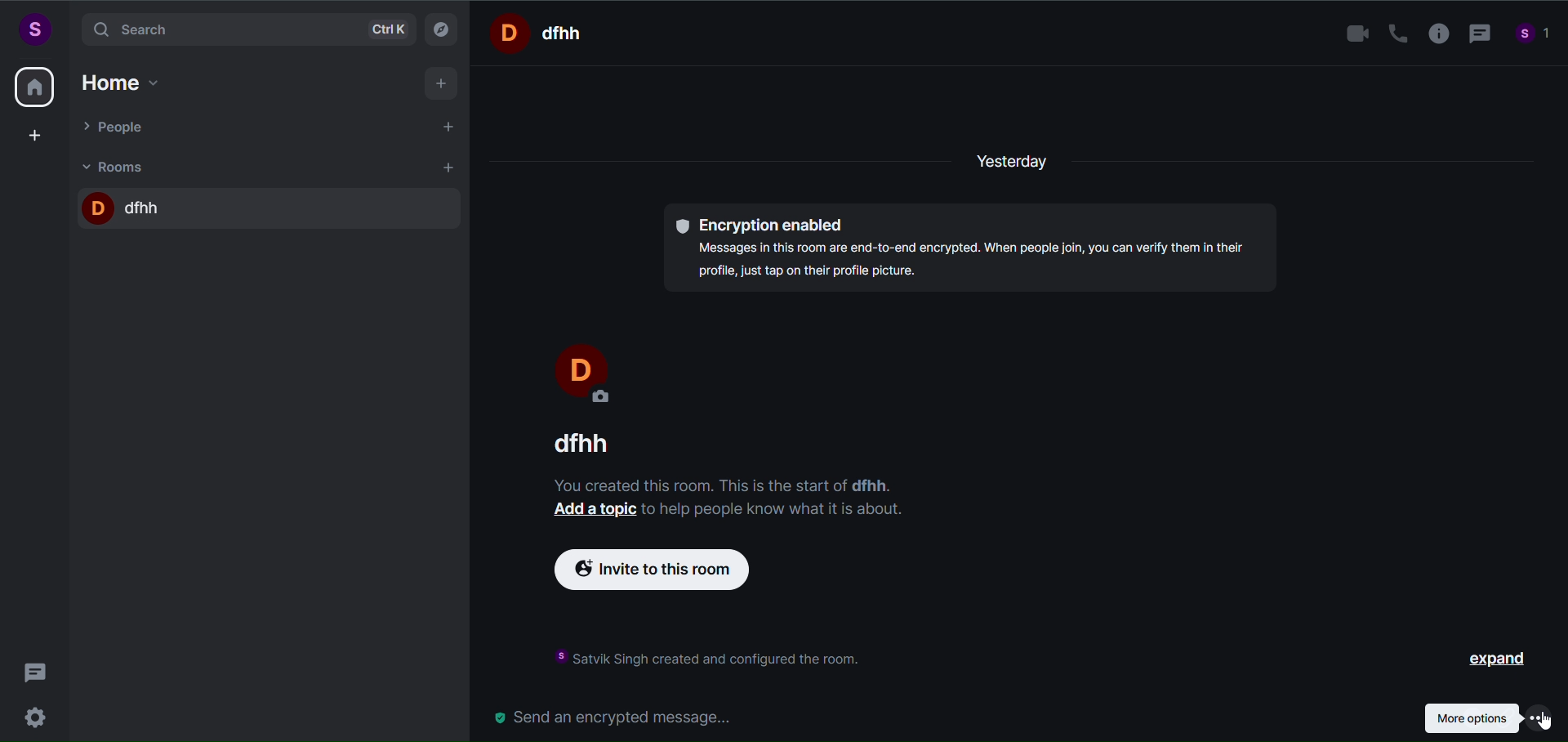 The image size is (1568, 742). Describe the element at coordinates (118, 166) in the screenshot. I see `rooms` at that location.